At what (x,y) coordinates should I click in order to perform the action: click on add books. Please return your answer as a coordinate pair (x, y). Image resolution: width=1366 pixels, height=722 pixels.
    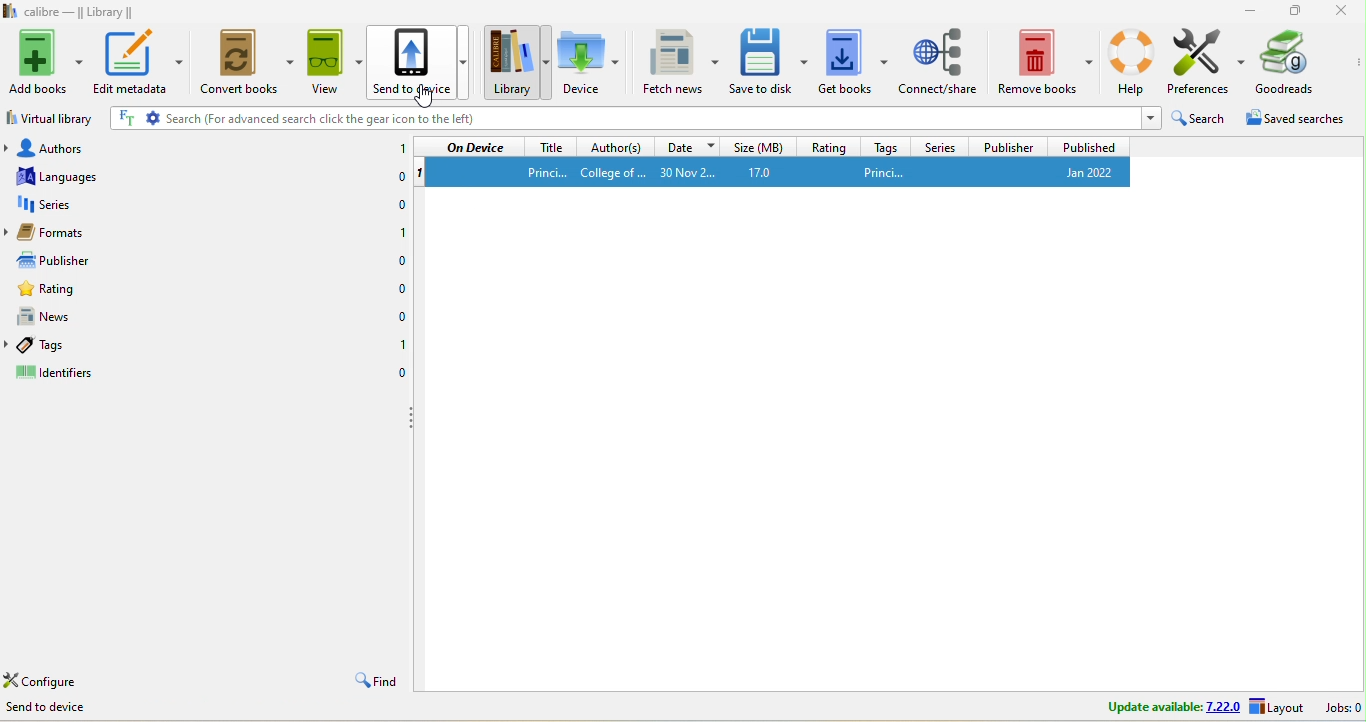
    Looking at the image, I should click on (48, 61).